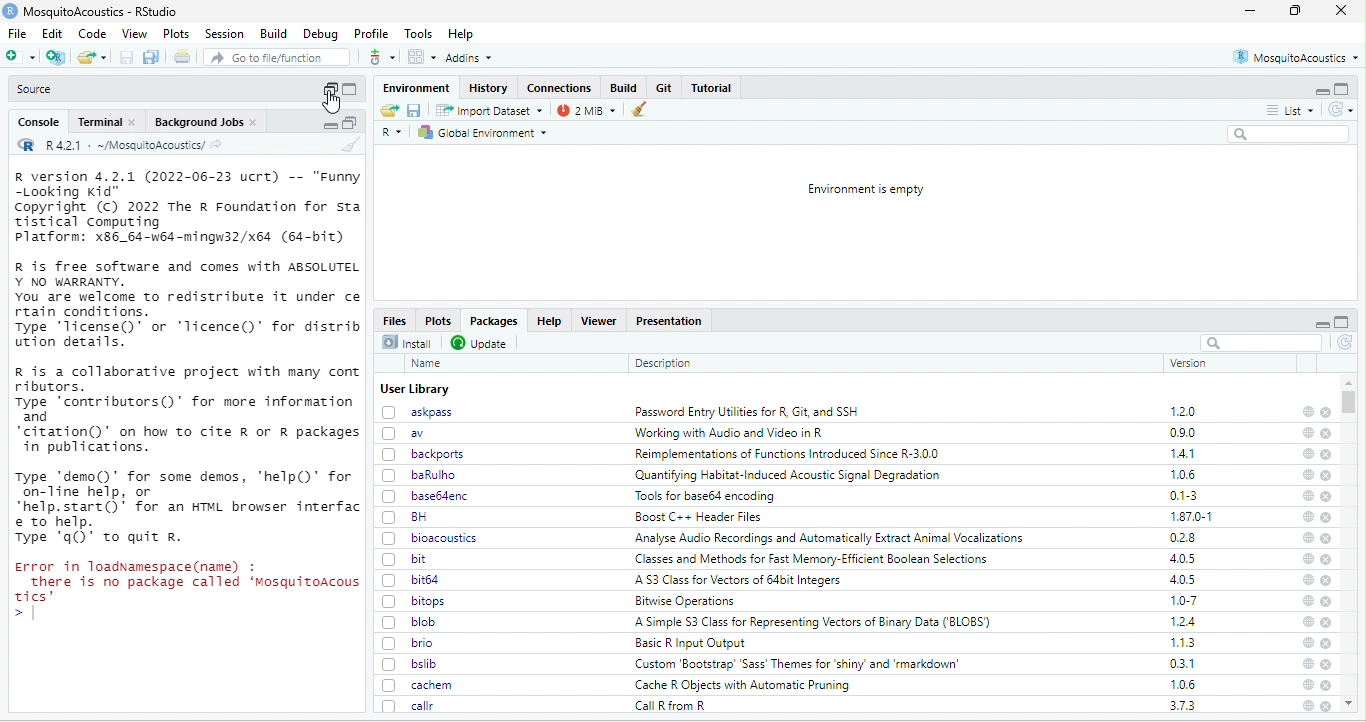 This screenshot has height=722, width=1366. Describe the element at coordinates (1262, 342) in the screenshot. I see `search bar` at that location.